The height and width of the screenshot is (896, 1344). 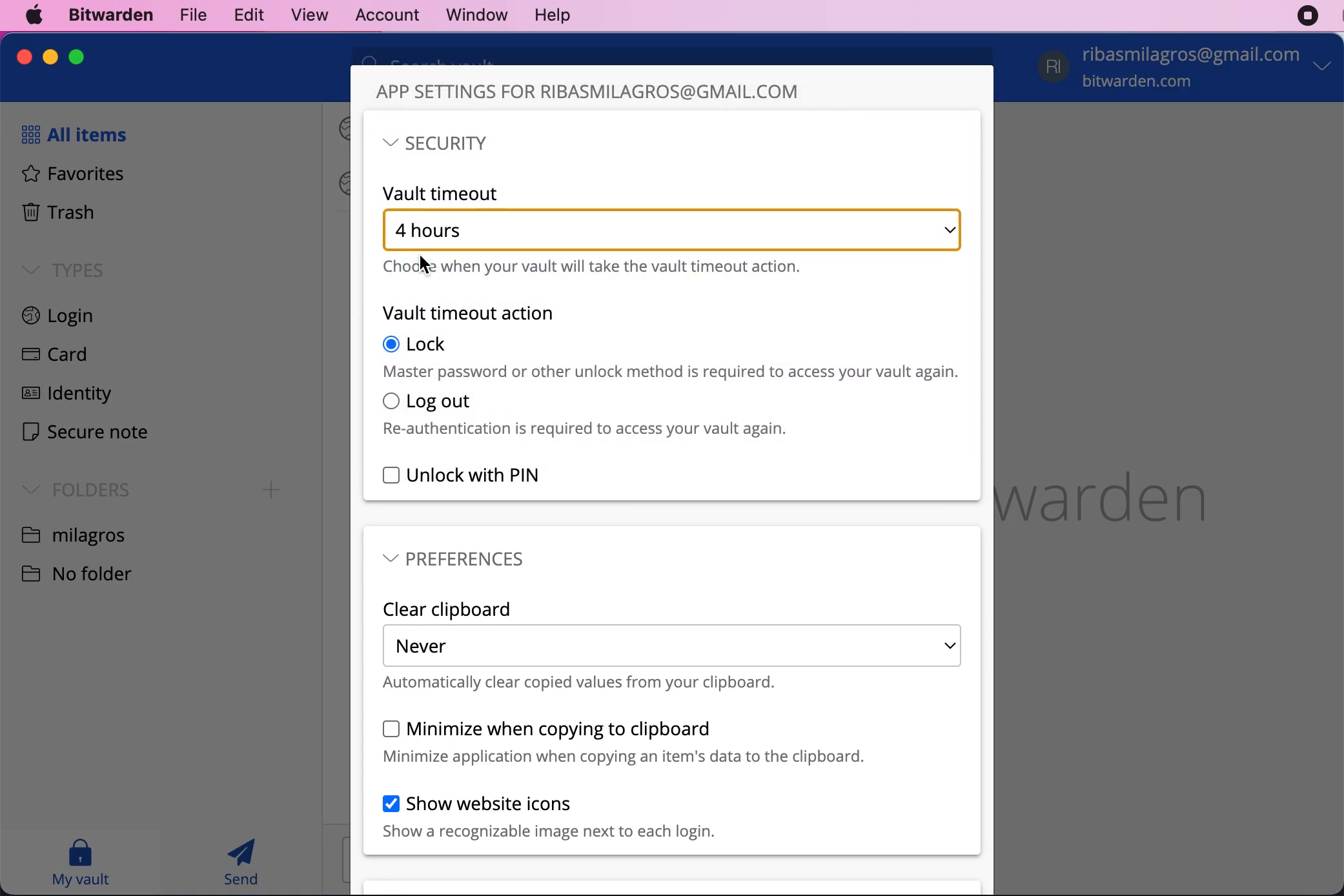 I want to click on account, so click(x=1188, y=69).